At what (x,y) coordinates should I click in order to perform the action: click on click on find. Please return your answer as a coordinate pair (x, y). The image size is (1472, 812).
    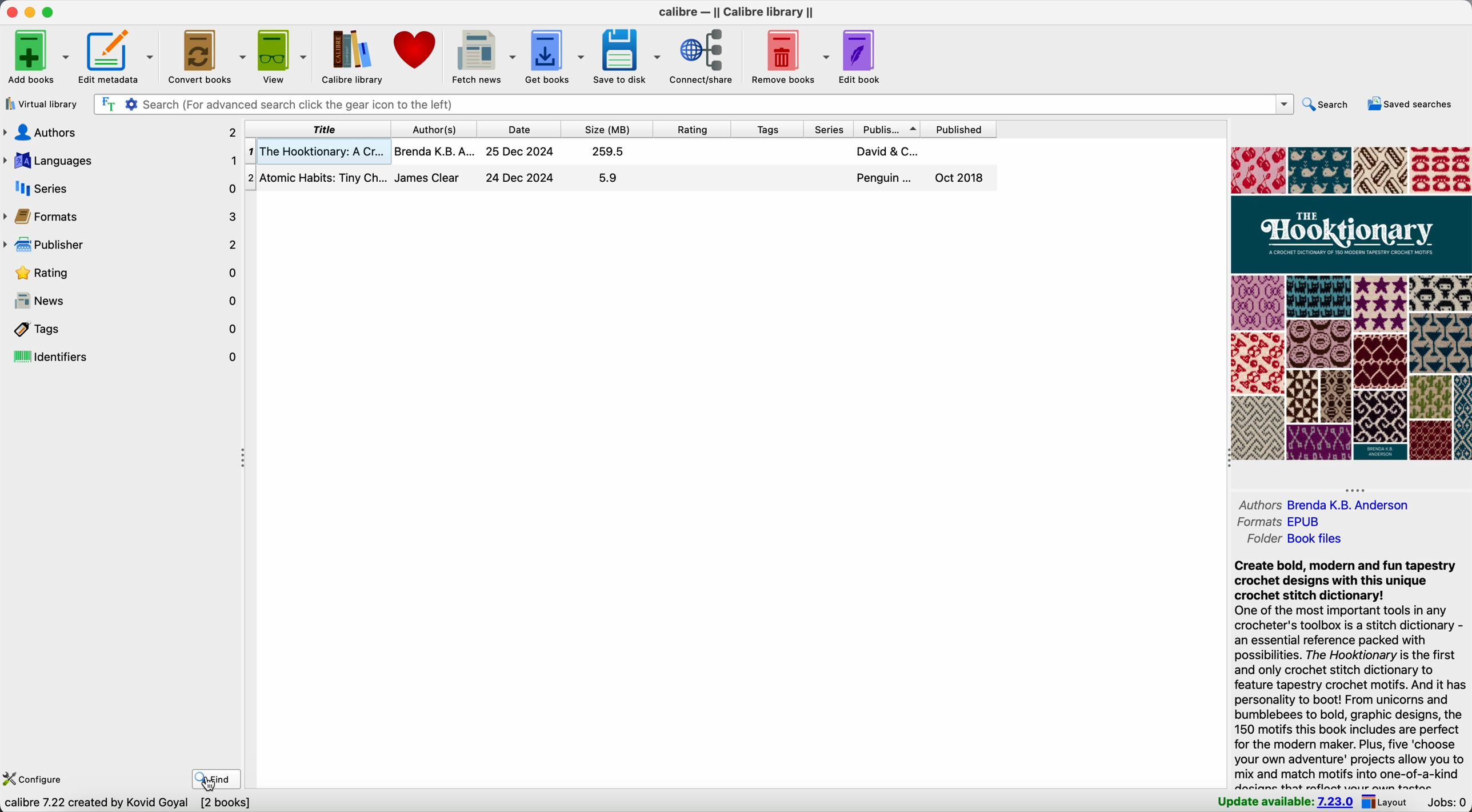
    Looking at the image, I should click on (215, 781).